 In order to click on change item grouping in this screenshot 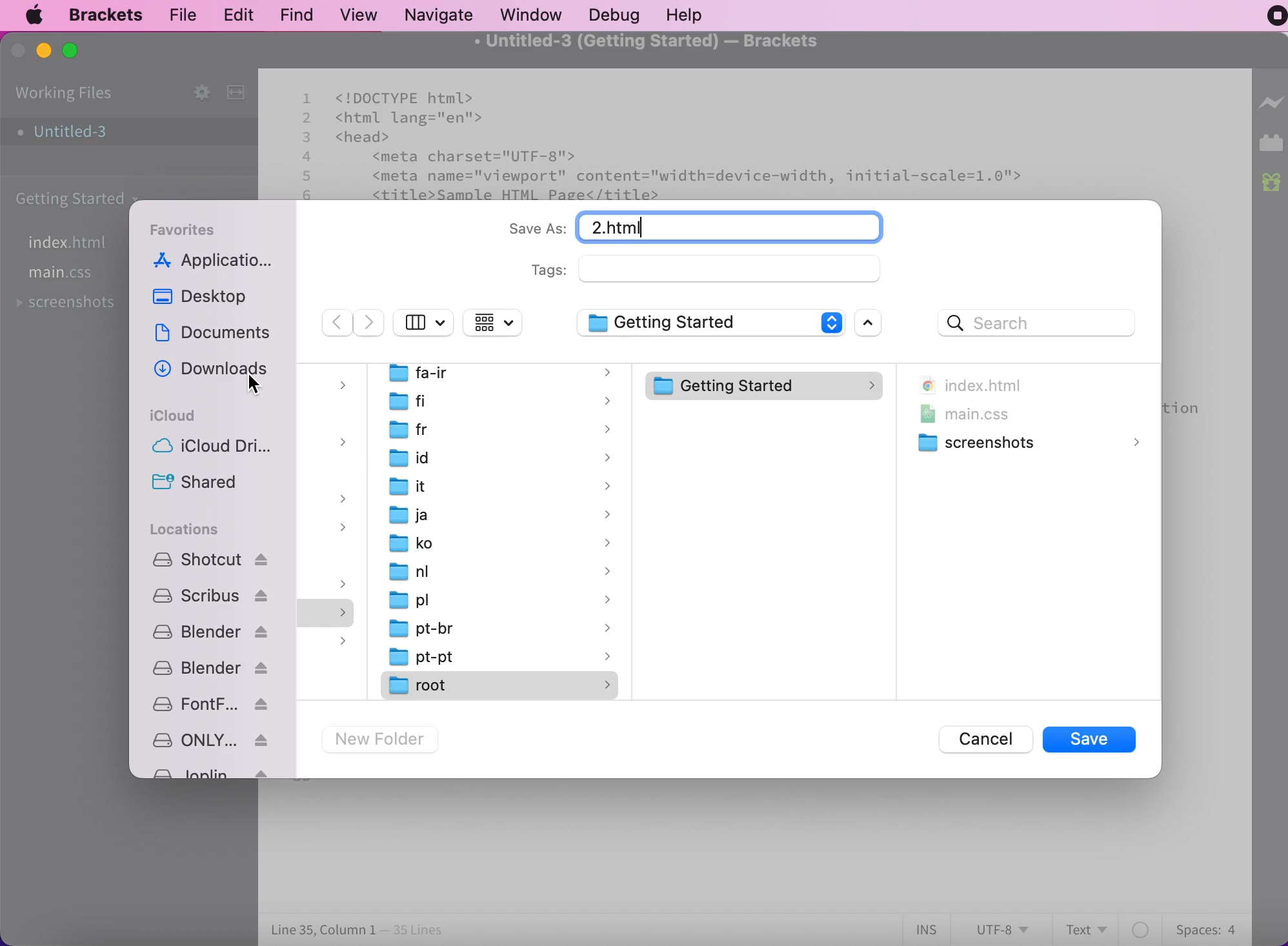, I will do `click(494, 324)`.